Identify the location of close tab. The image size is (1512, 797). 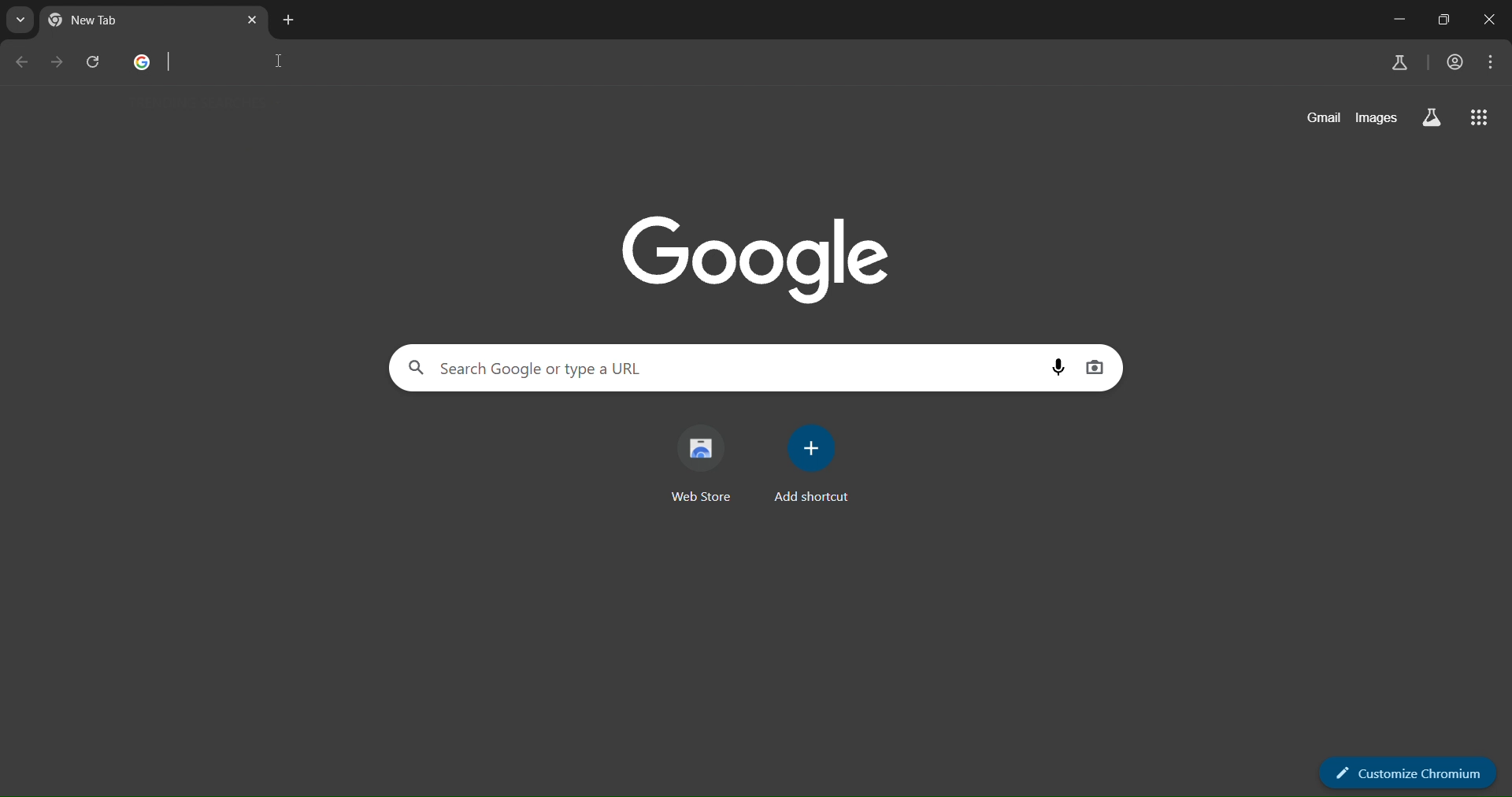
(254, 21).